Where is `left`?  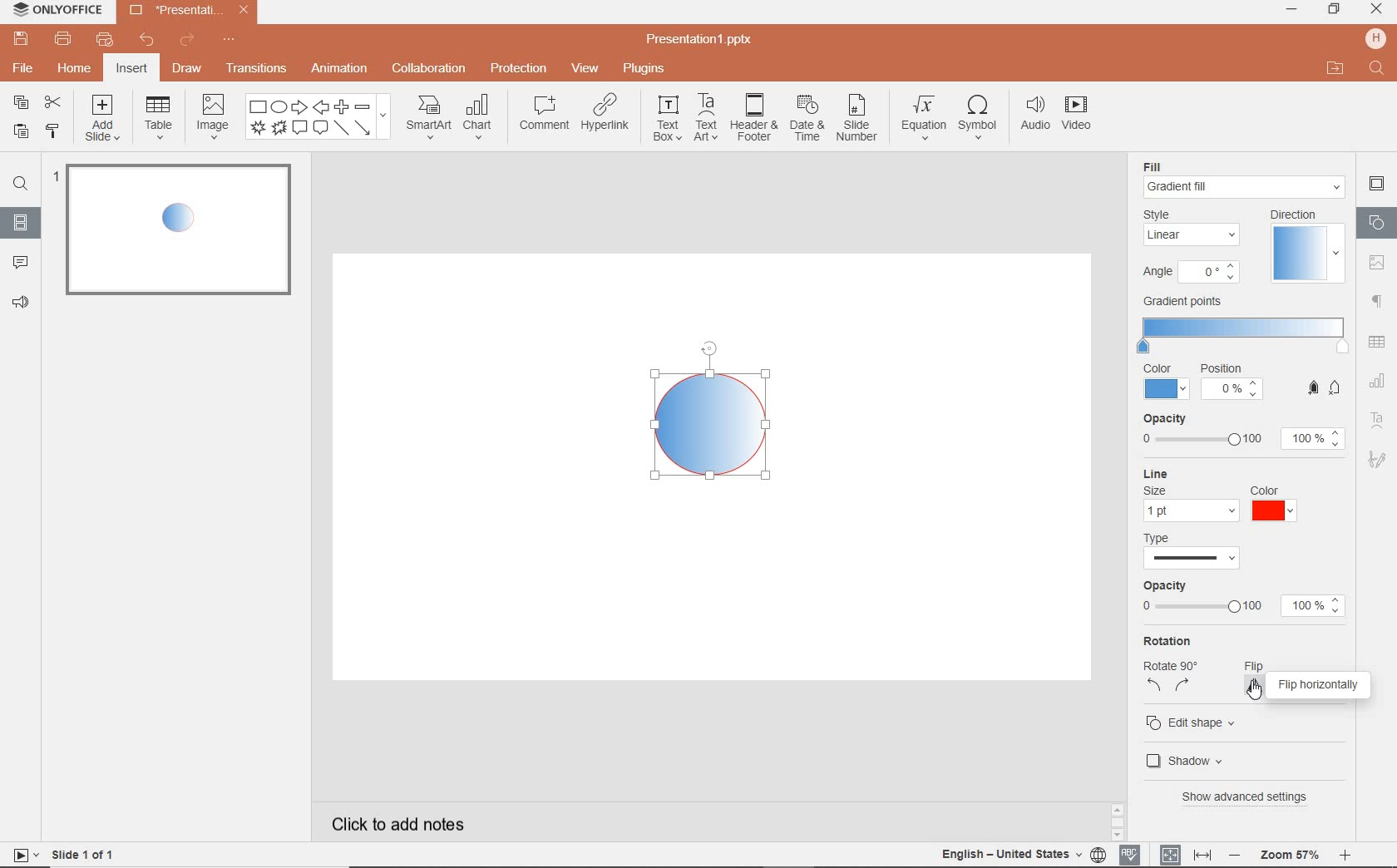
left is located at coordinates (1155, 688).